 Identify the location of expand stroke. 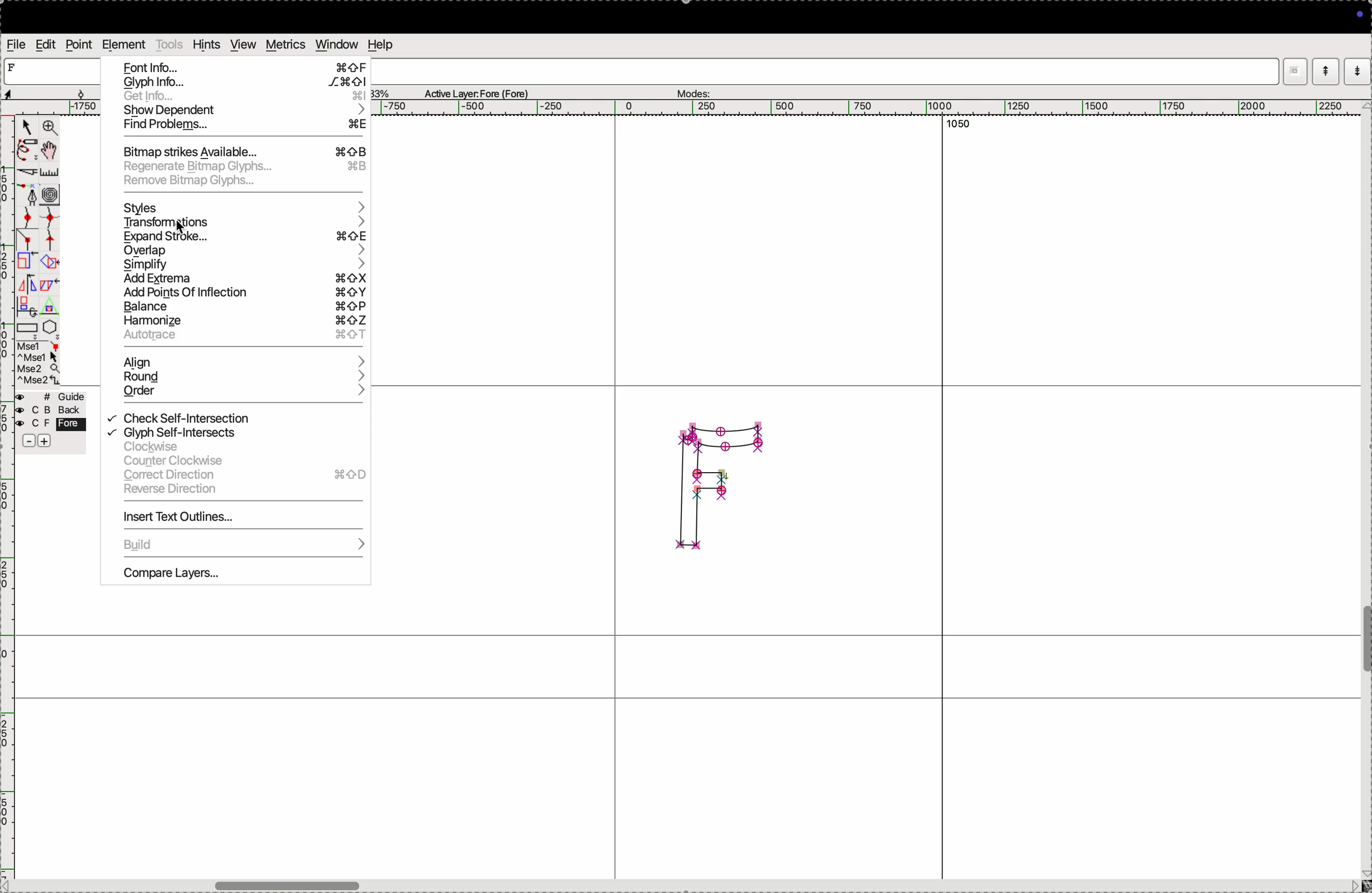
(247, 236).